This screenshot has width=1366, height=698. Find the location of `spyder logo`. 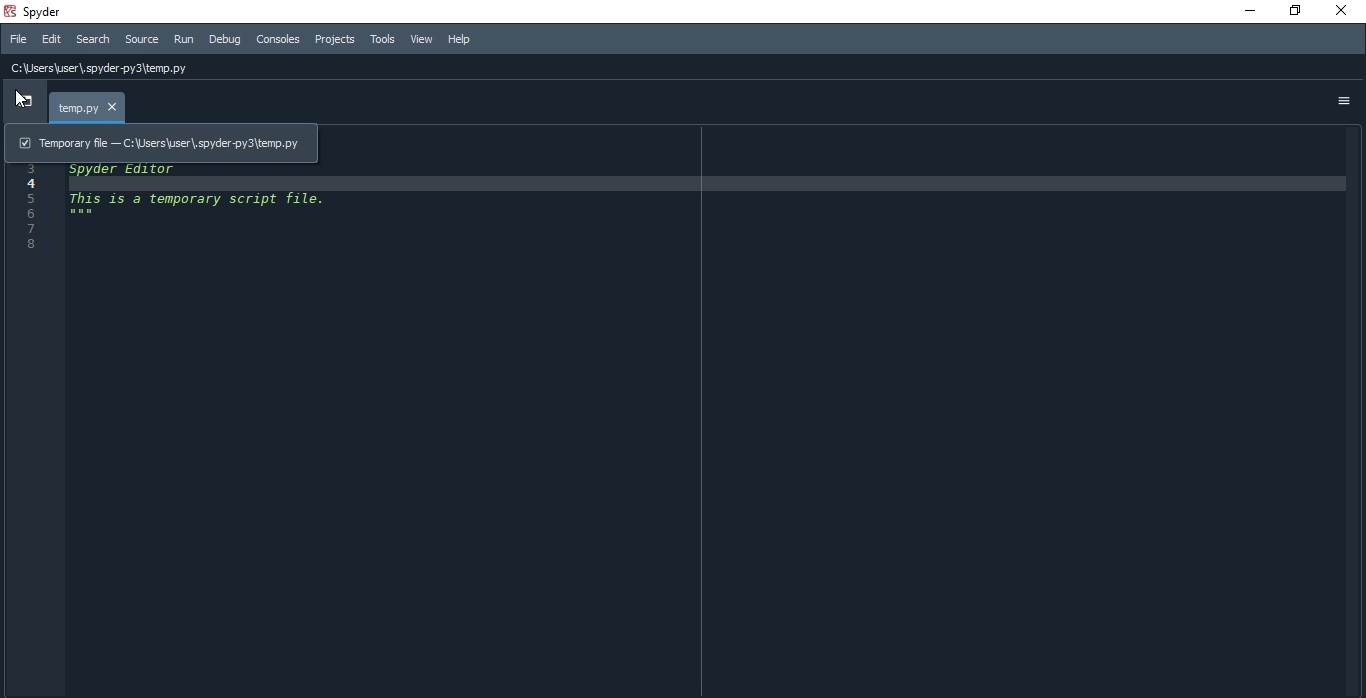

spyder logo is located at coordinates (11, 12).